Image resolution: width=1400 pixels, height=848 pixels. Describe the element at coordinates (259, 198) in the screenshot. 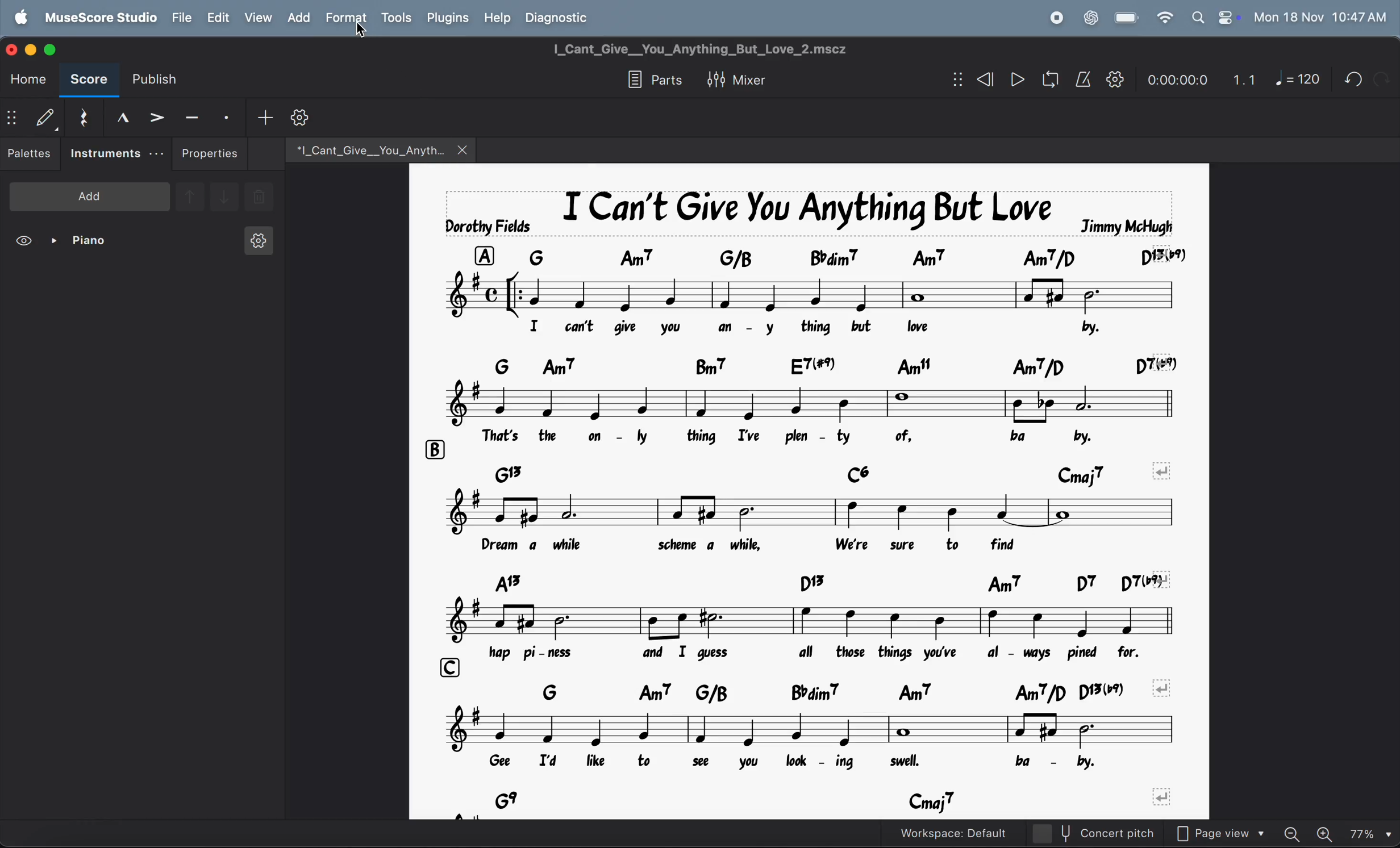

I see `delete` at that location.